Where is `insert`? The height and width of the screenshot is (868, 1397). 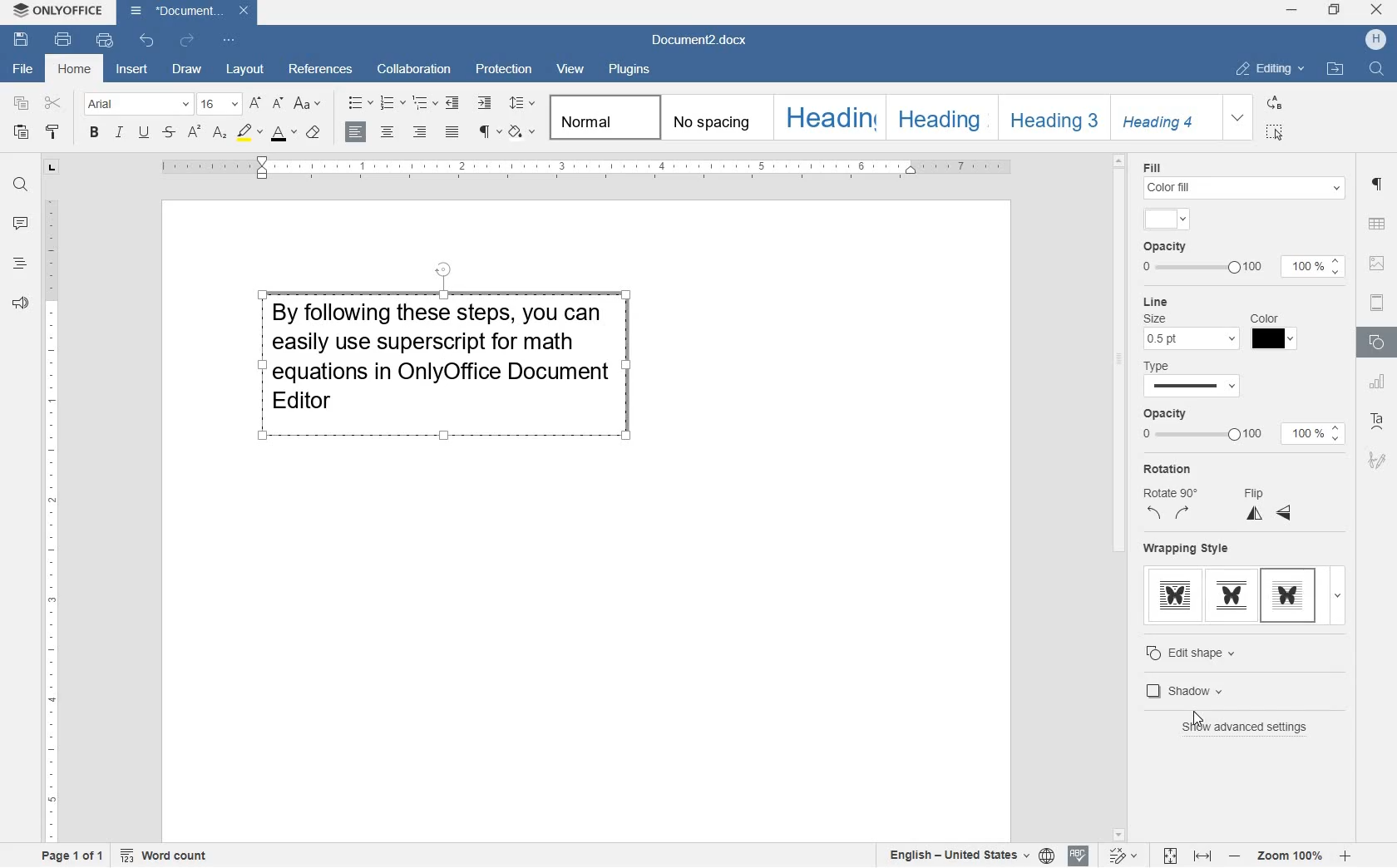
insert is located at coordinates (131, 70).